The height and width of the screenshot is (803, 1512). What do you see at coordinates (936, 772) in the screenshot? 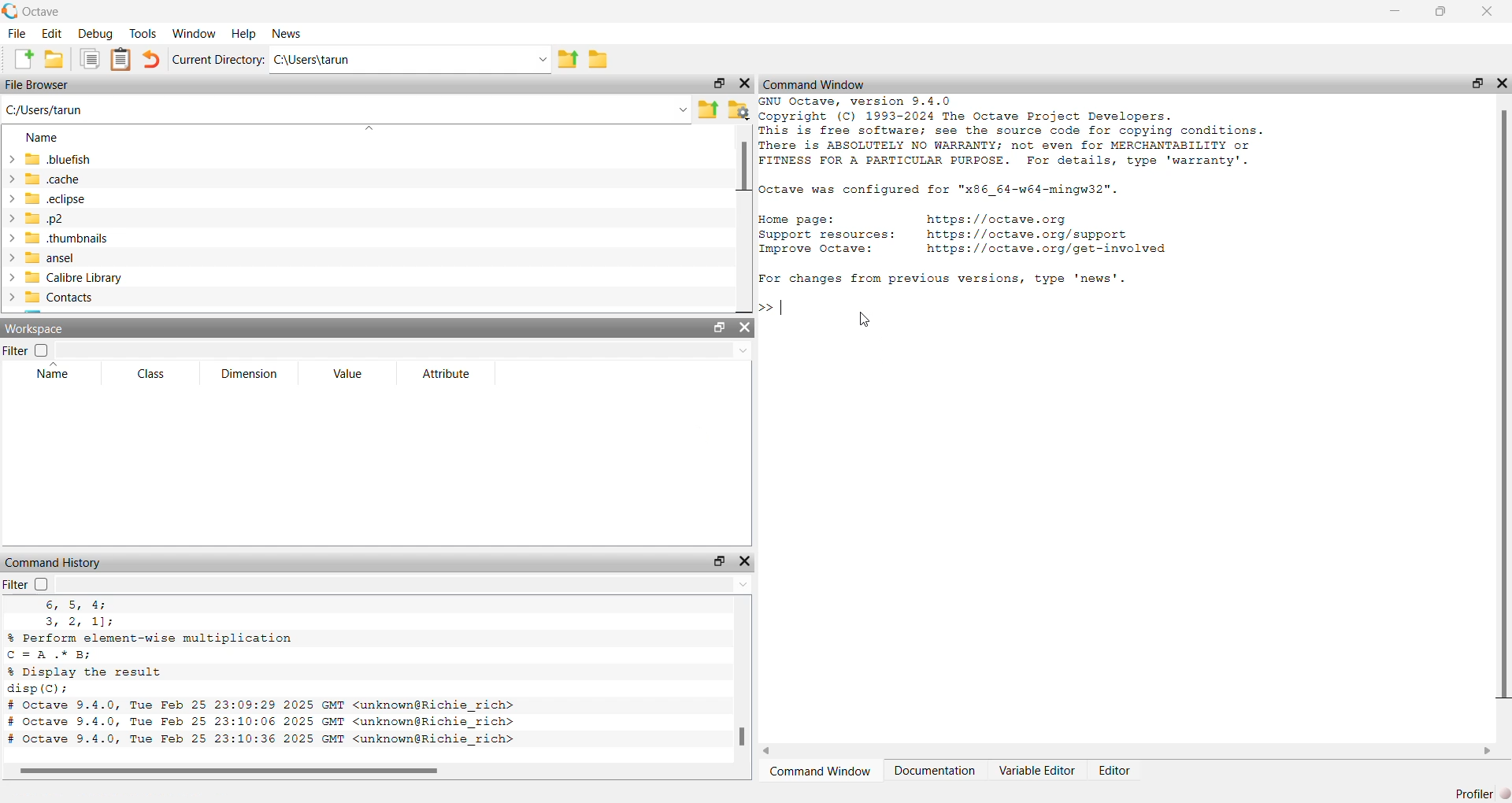
I see `Documentation` at bounding box center [936, 772].